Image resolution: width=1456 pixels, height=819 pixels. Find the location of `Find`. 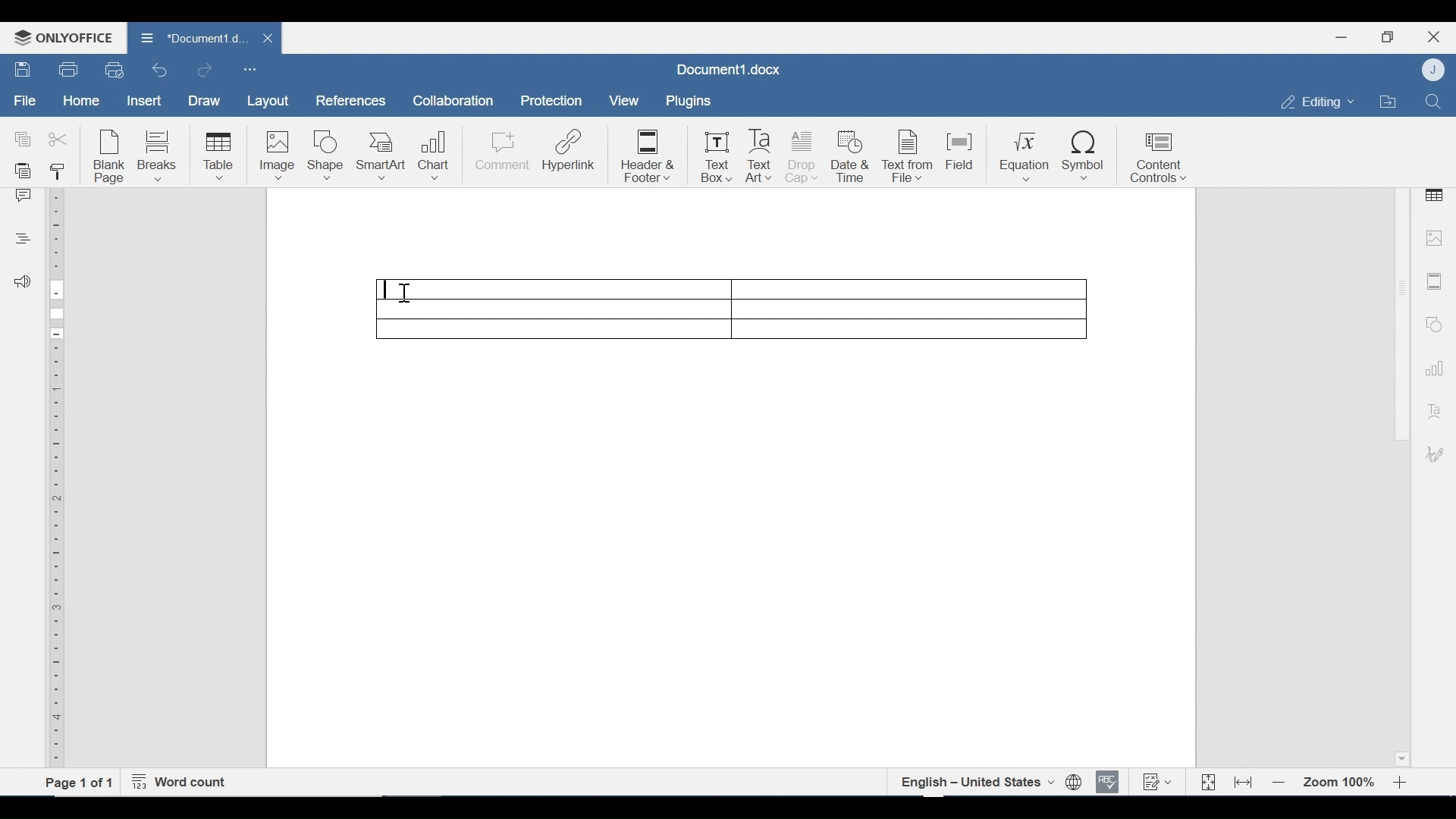

Find is located at coordinates (1432, 100).